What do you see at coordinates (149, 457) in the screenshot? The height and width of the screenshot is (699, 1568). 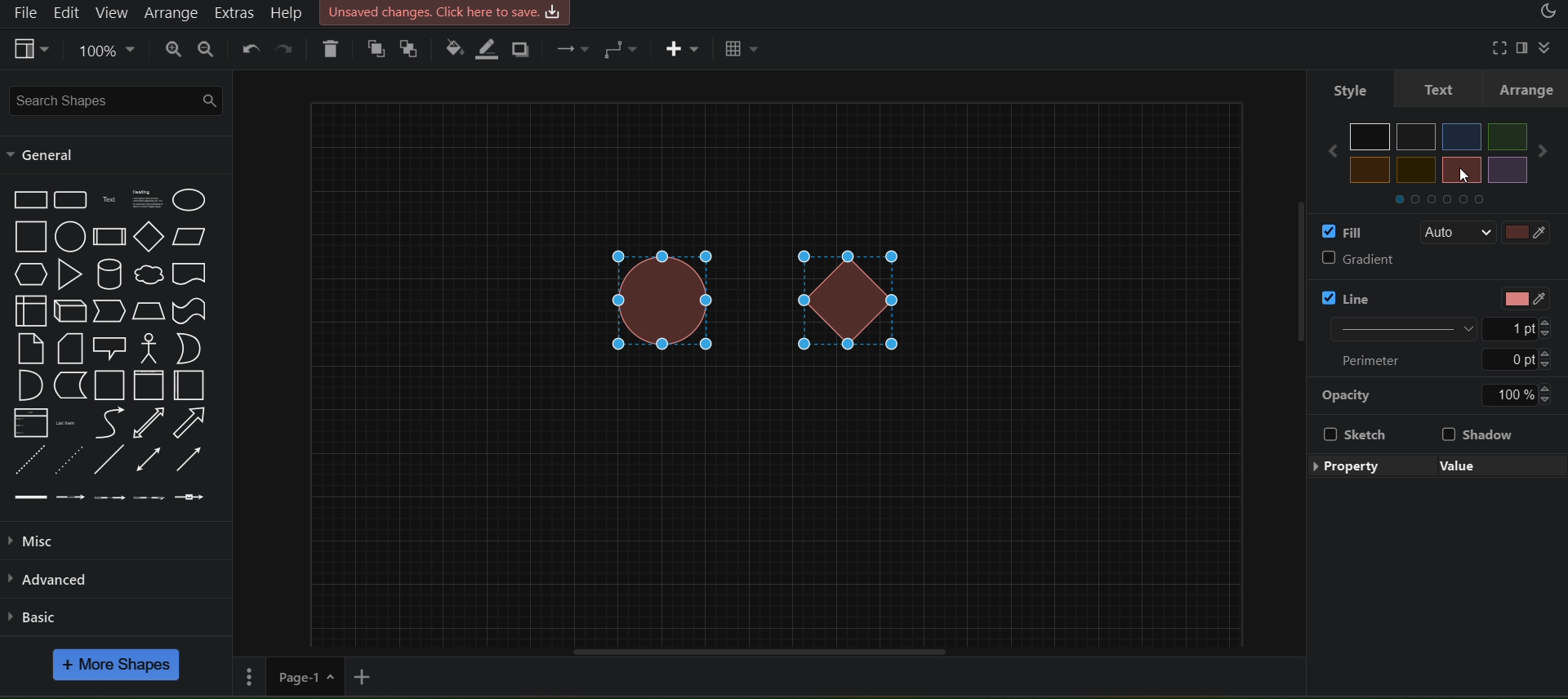 I see `Bidirectional Connector` at bounding box center [149, 457].